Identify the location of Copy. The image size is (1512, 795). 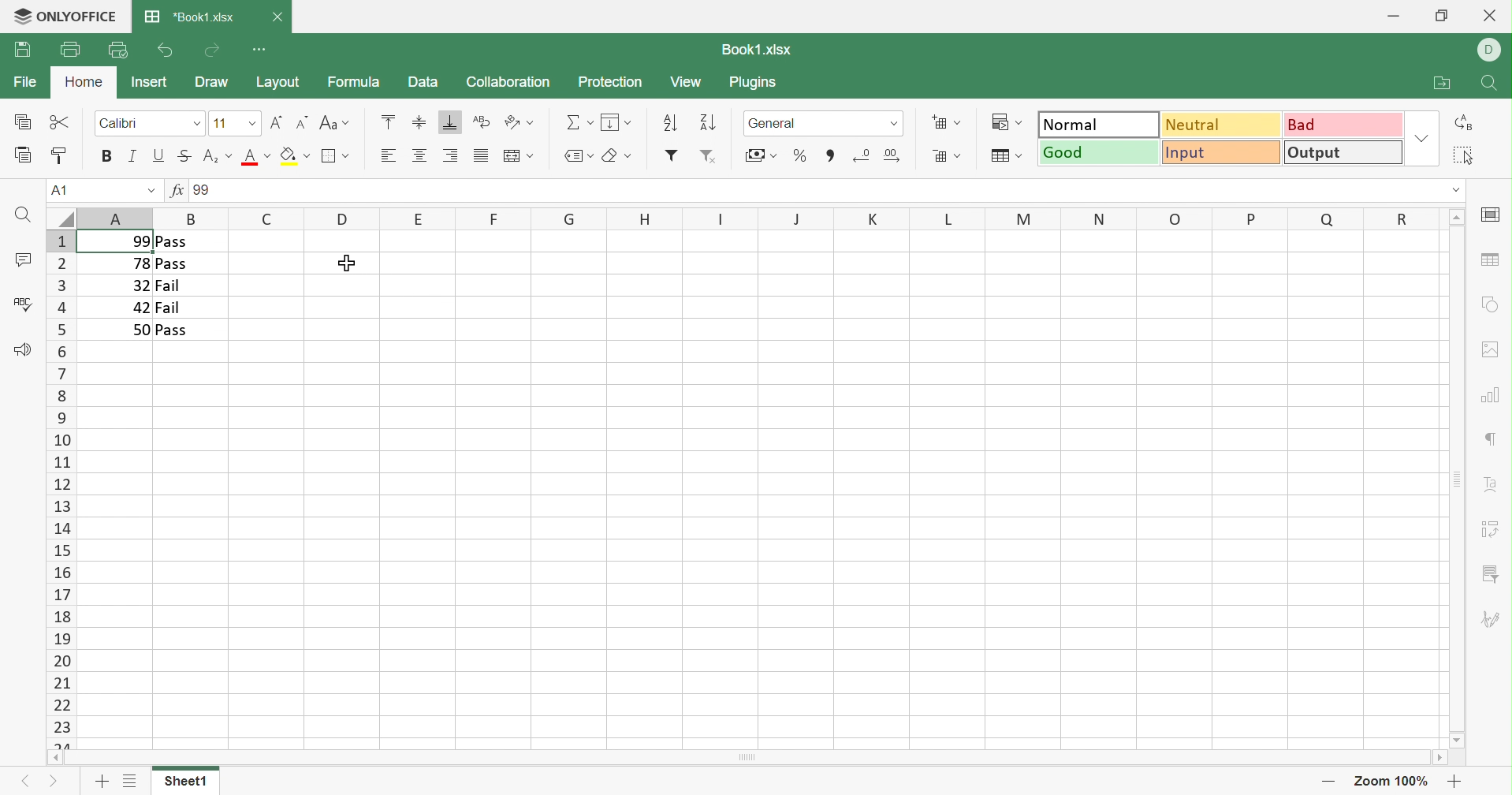
(24, 121).